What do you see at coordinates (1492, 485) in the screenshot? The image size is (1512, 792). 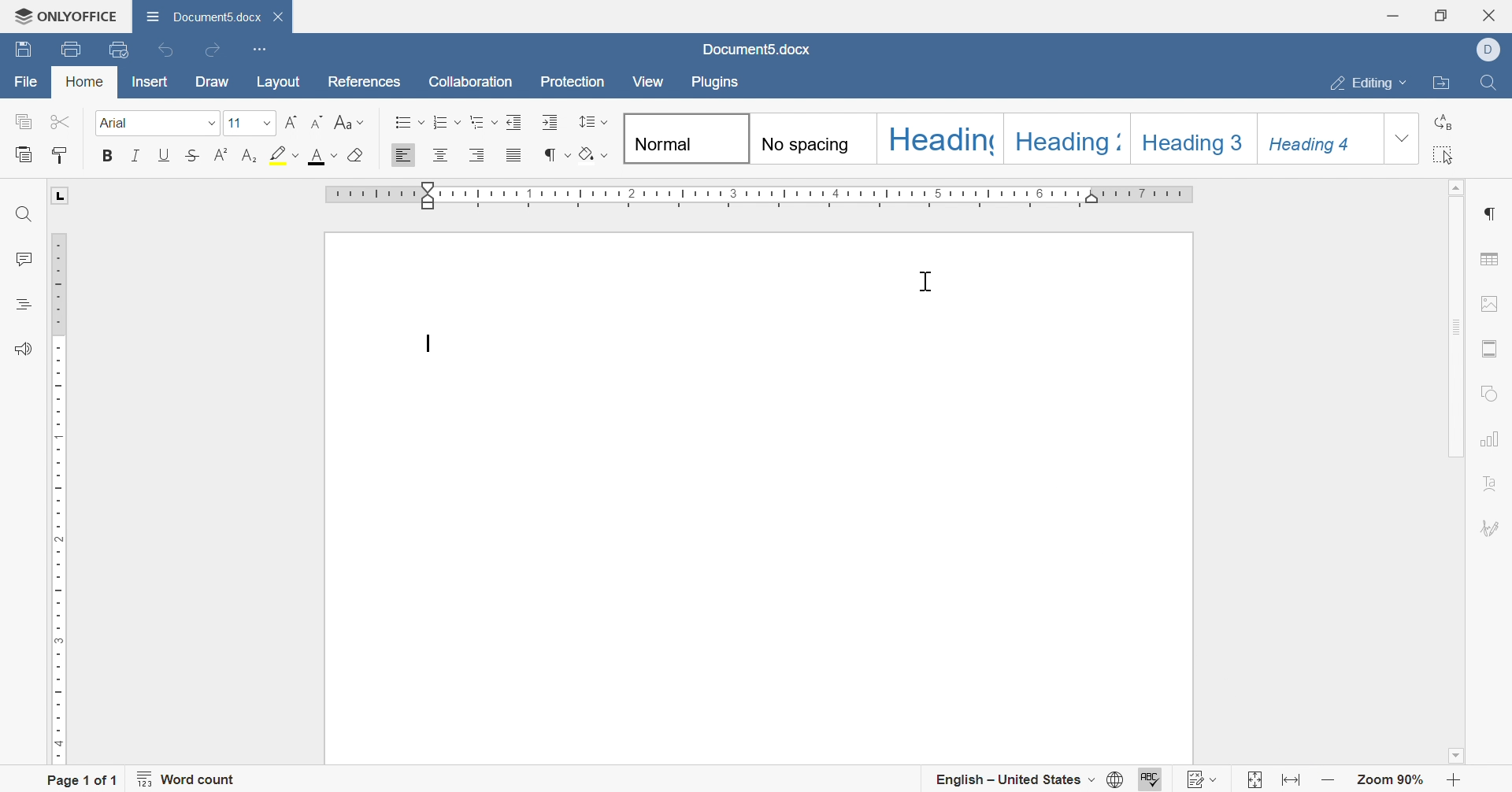 I see `text art settings` at bounding box center [1492, 485].